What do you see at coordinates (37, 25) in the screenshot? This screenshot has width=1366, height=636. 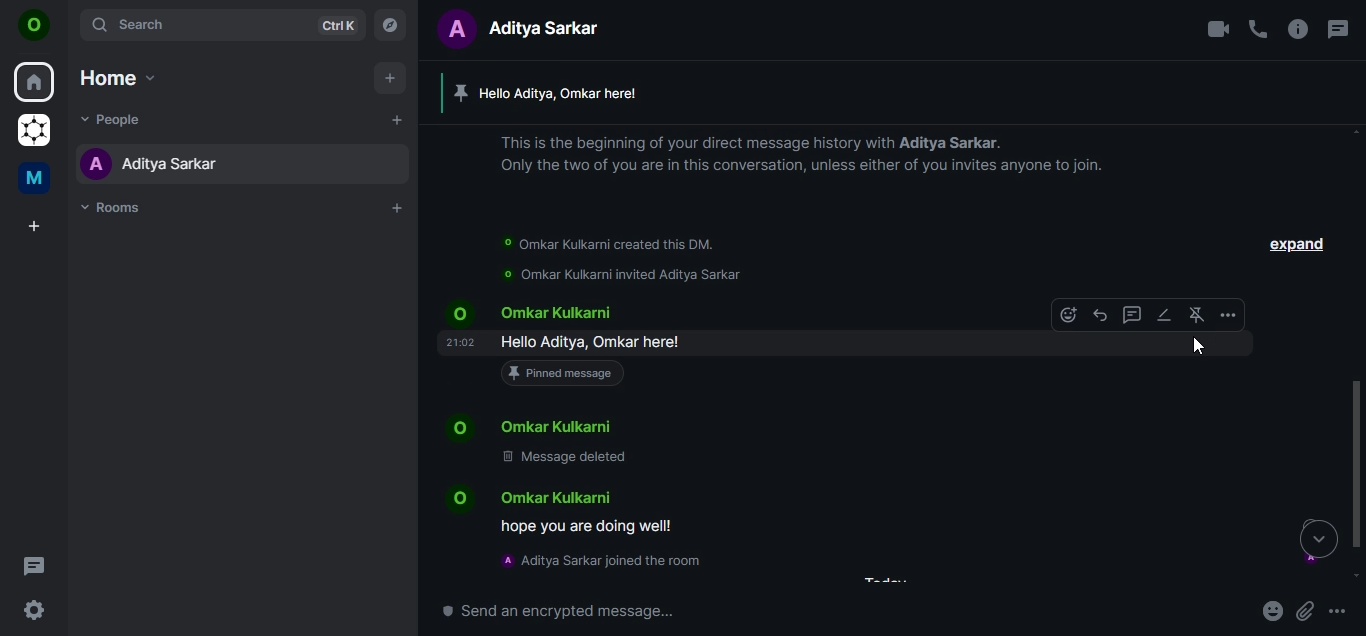 I see `O` at bounding box center [37, 25].